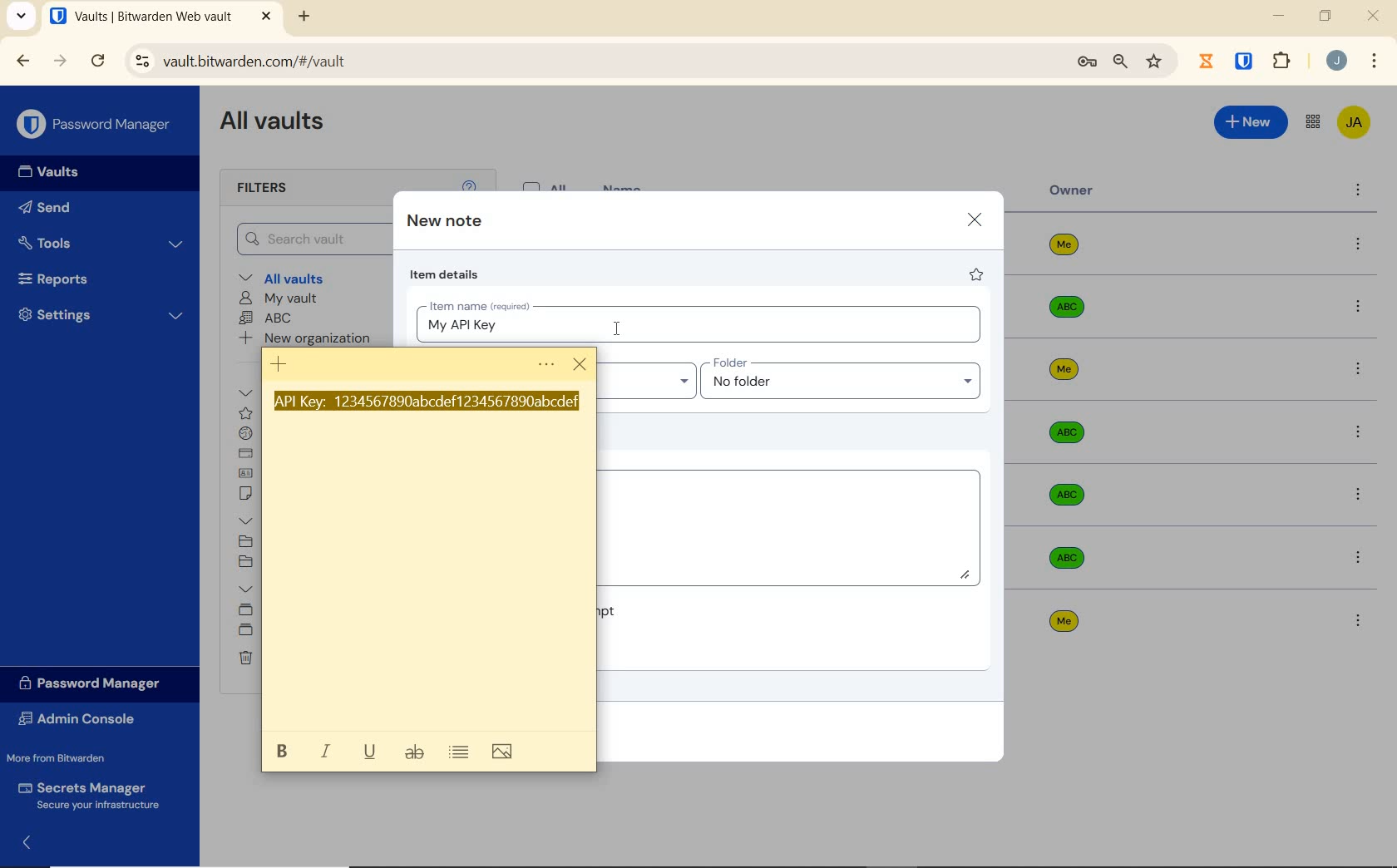  I want to click on help, so click(469, 184).